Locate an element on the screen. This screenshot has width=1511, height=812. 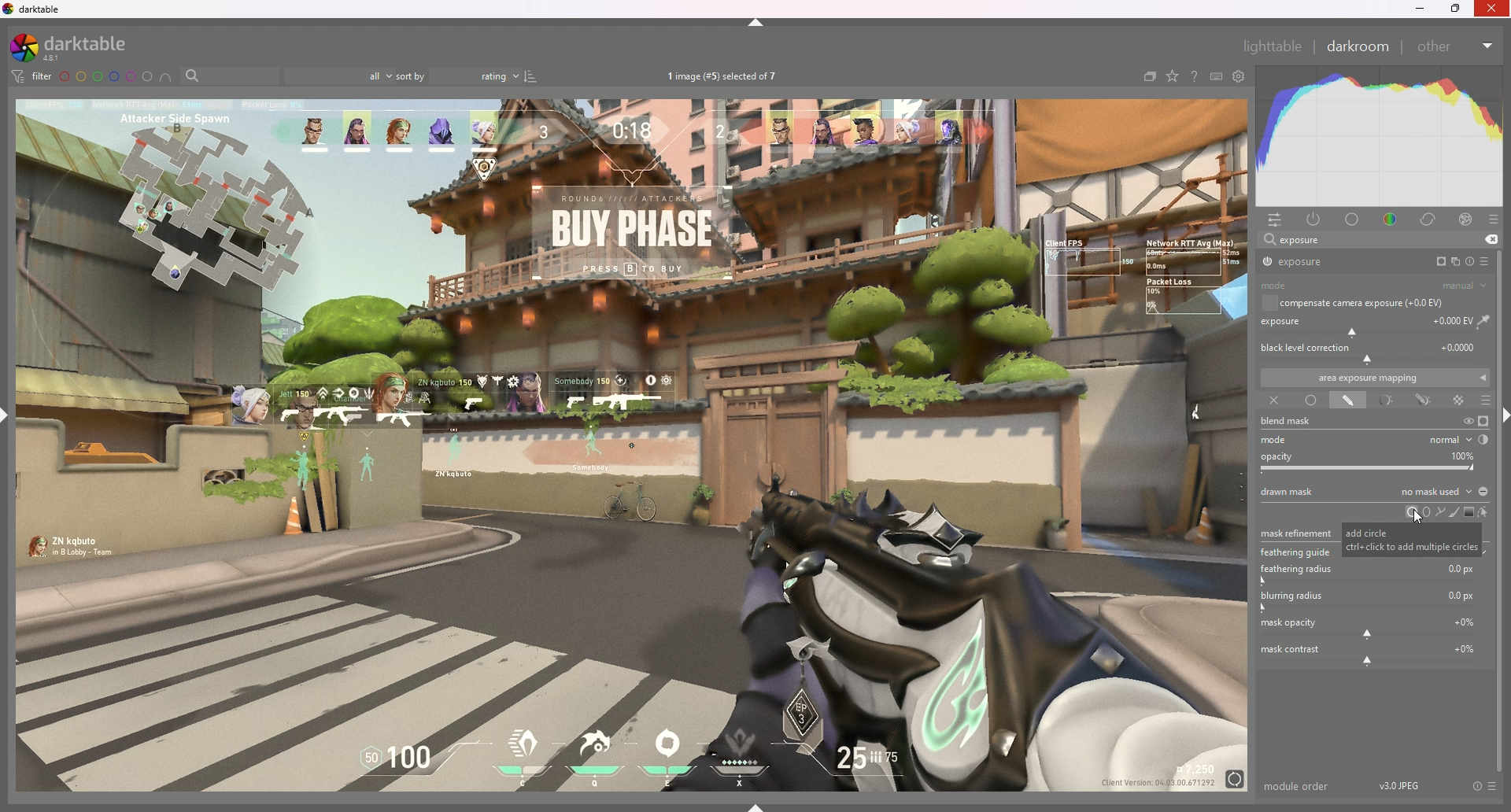
exposure is located at coordinates (1332, 261).